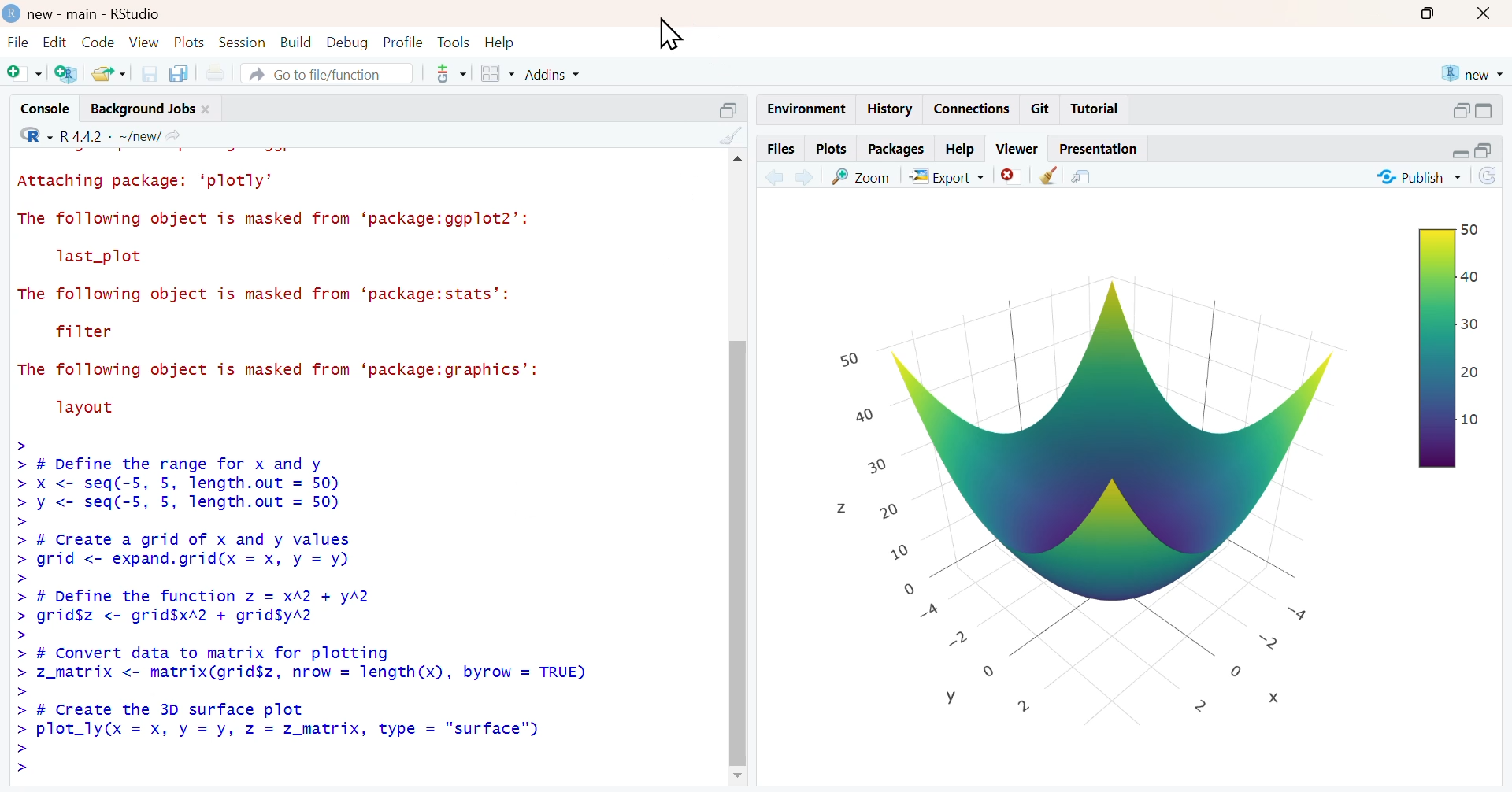  Describe the element at coordinates (96, 43) in the screenshot. I see `code` at that location.